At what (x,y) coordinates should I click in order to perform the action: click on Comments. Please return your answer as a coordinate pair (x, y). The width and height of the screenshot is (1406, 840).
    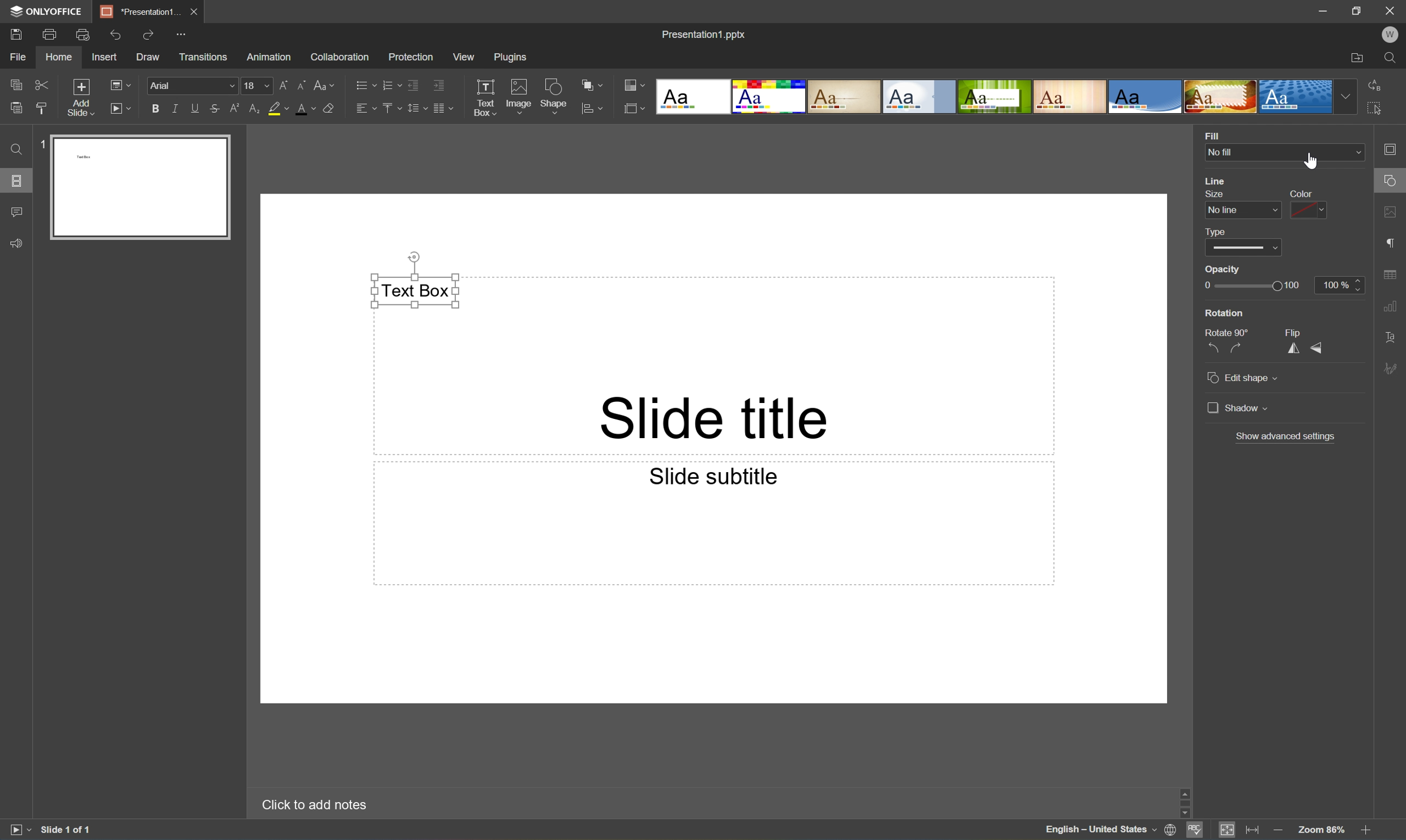
    Looking at the image, I should click on (18, 211).